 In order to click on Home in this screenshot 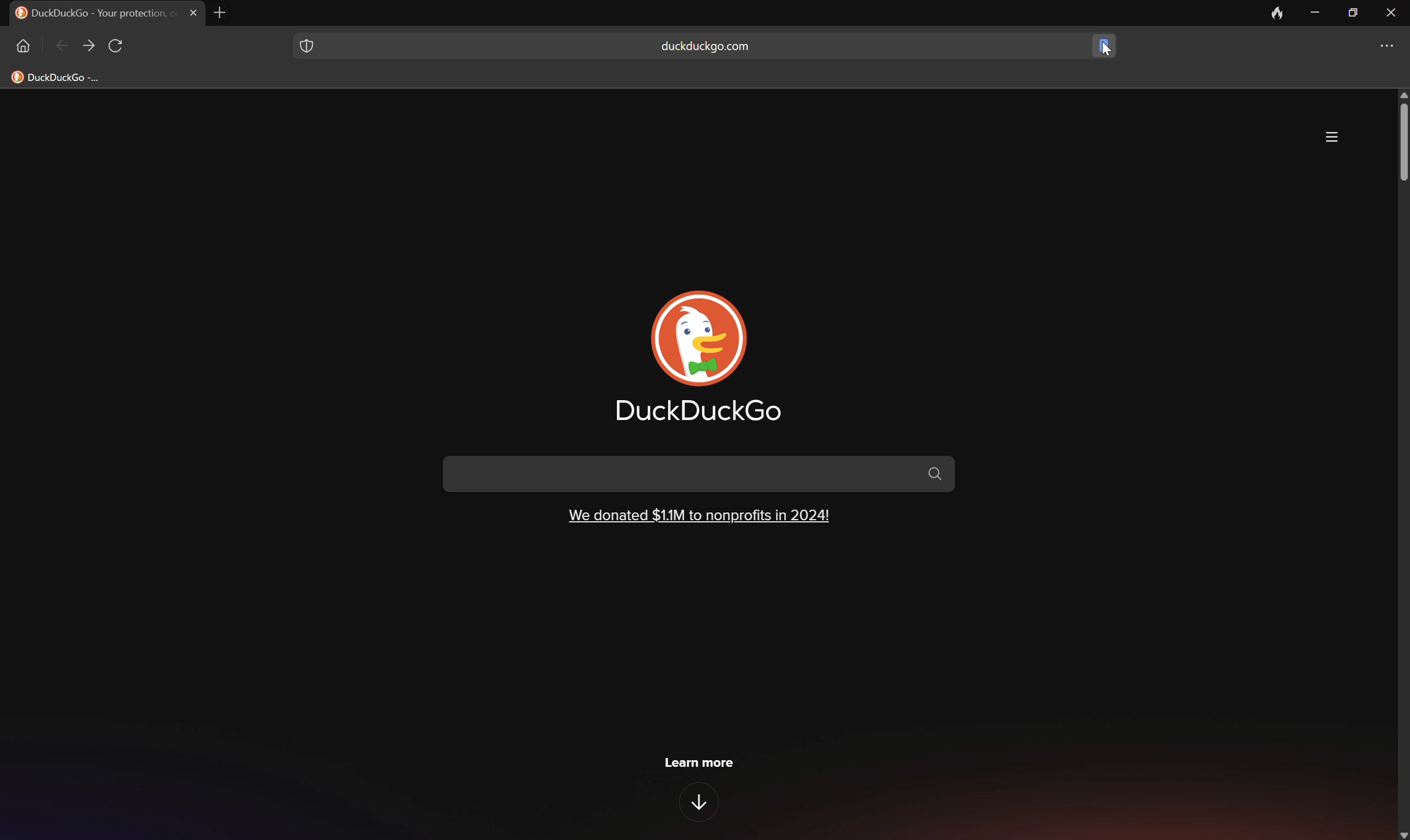, I will do `click(22, 45)`.